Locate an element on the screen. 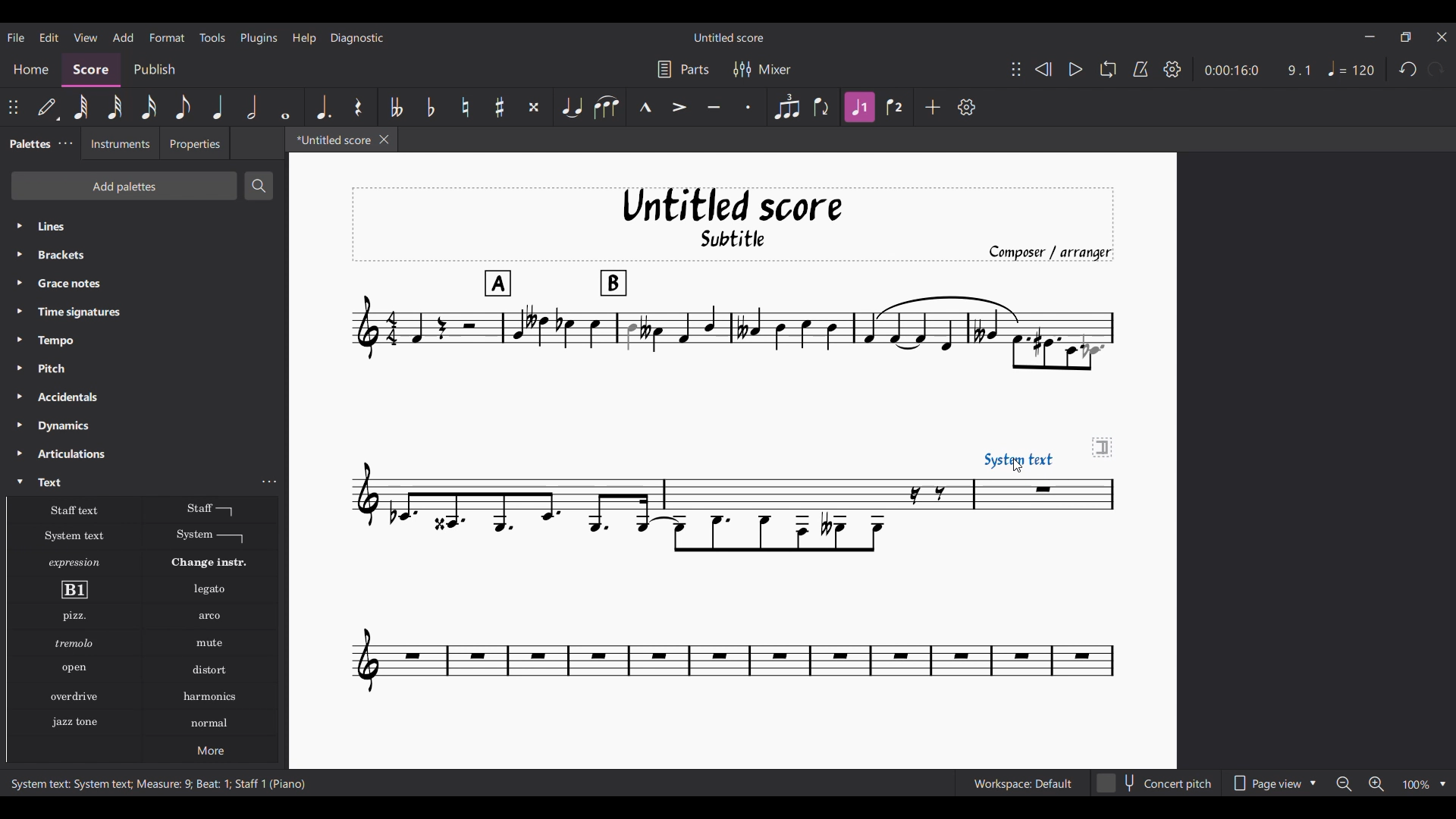 The image size is (1456, 819). Untitled score is located at coordinates (729, 38).